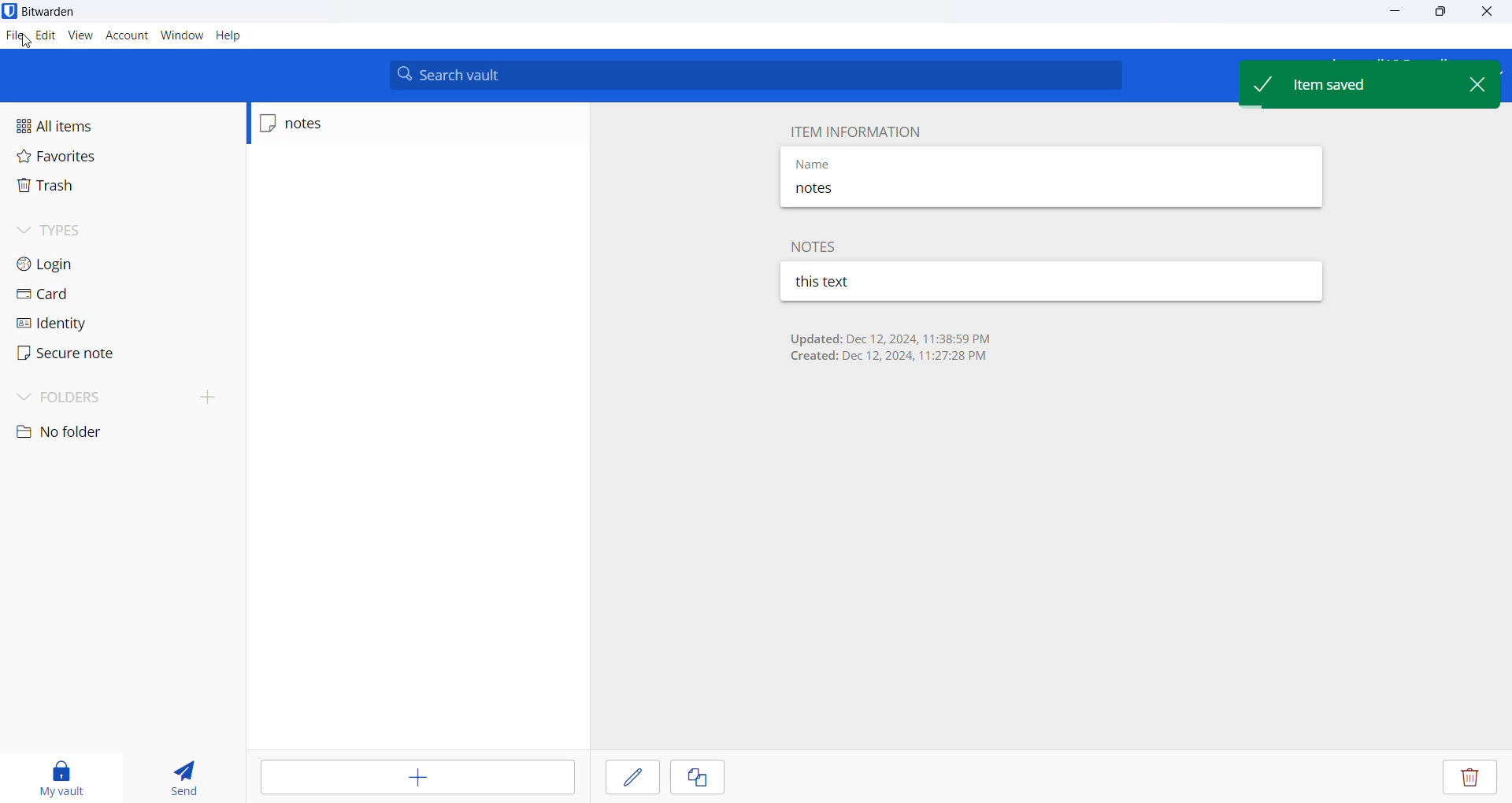  What do you see at coordinates (818, 246) in the screenshot?
I see `notes` at bounding box center [818, 246].